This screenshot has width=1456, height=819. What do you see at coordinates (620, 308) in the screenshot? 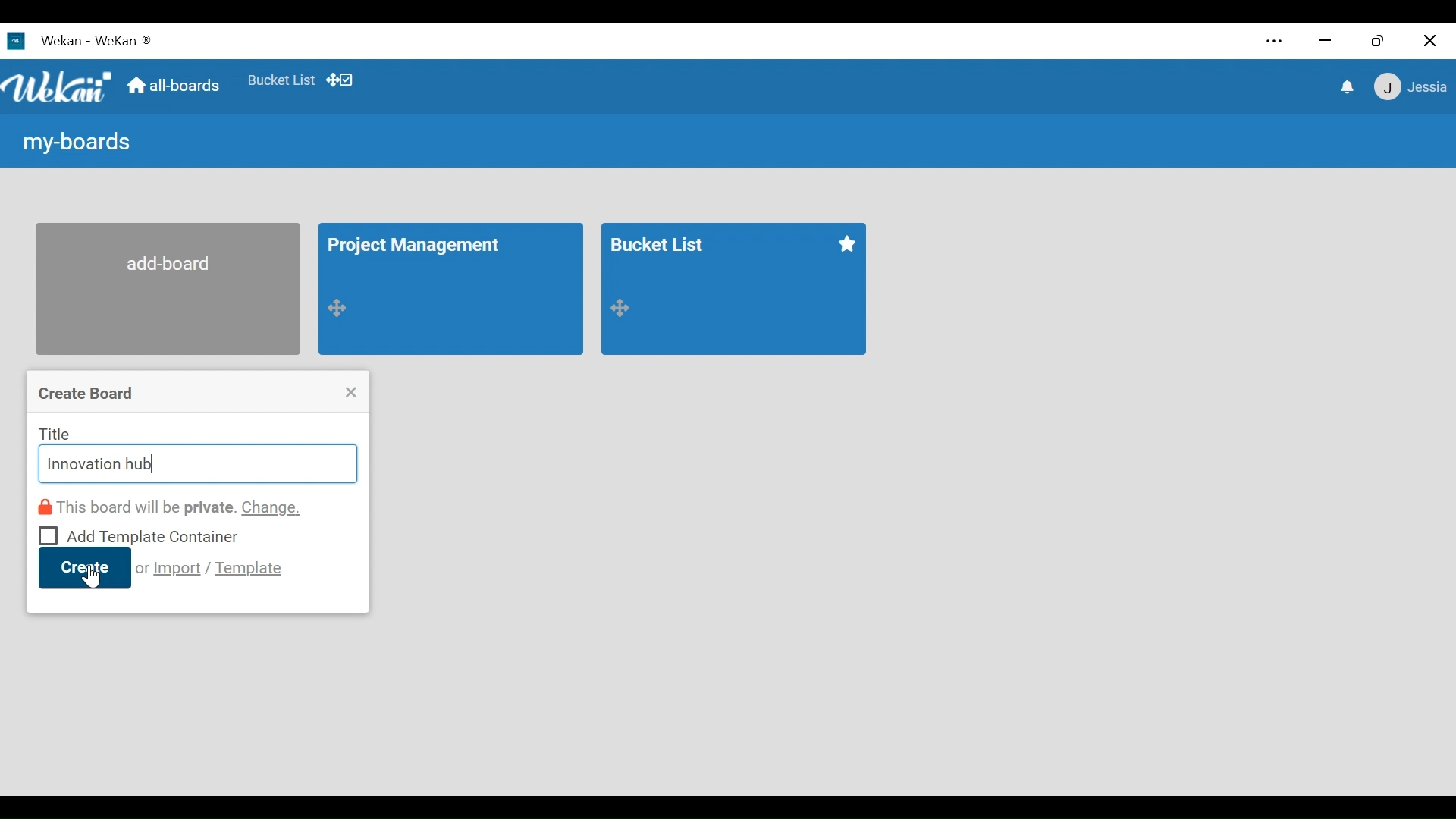
I see `Desktop drag handle` at bounding box center [620, 308].